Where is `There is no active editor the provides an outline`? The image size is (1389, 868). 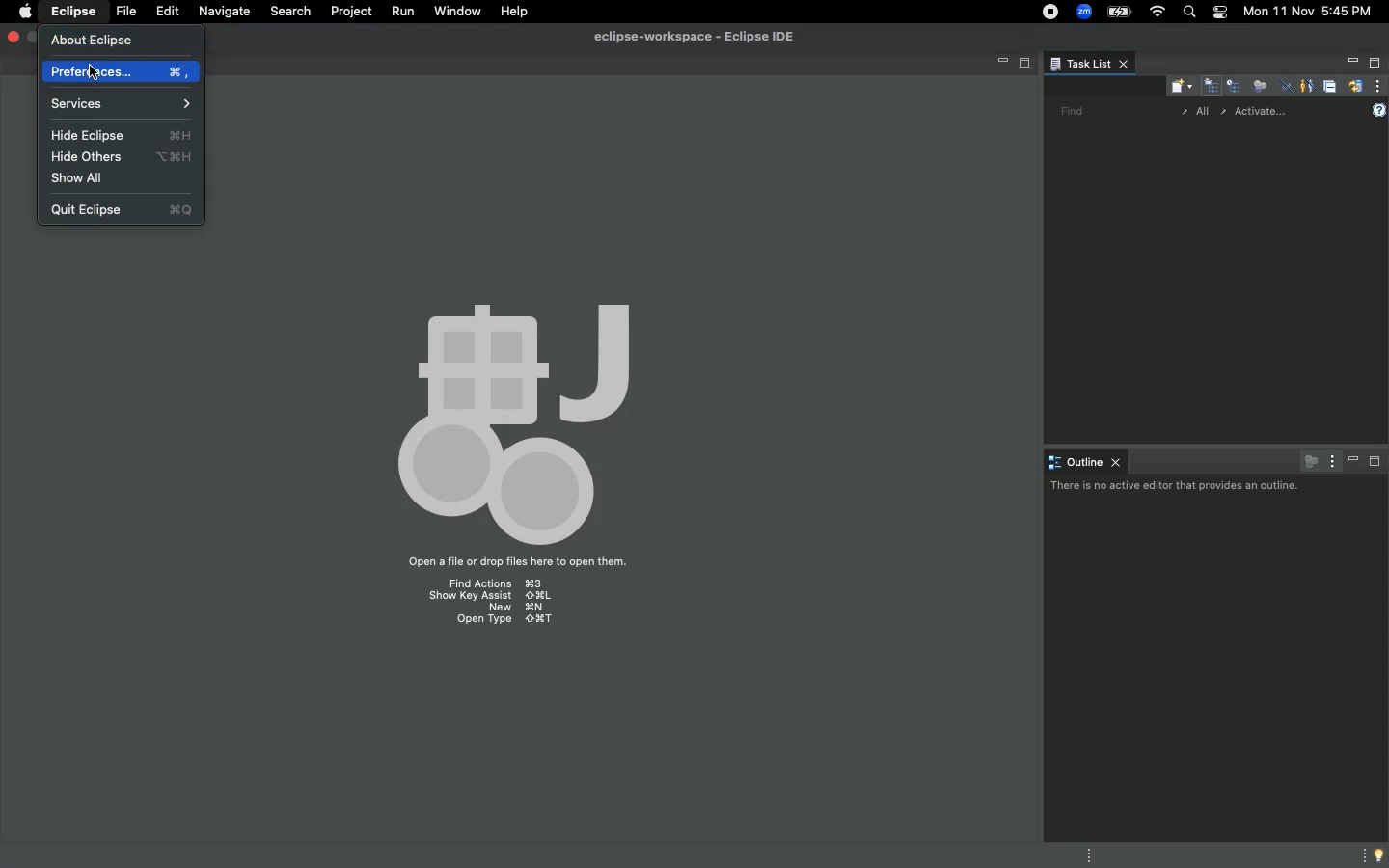
There is no active editor the provides an outline is located at coordinates (1176, 487).